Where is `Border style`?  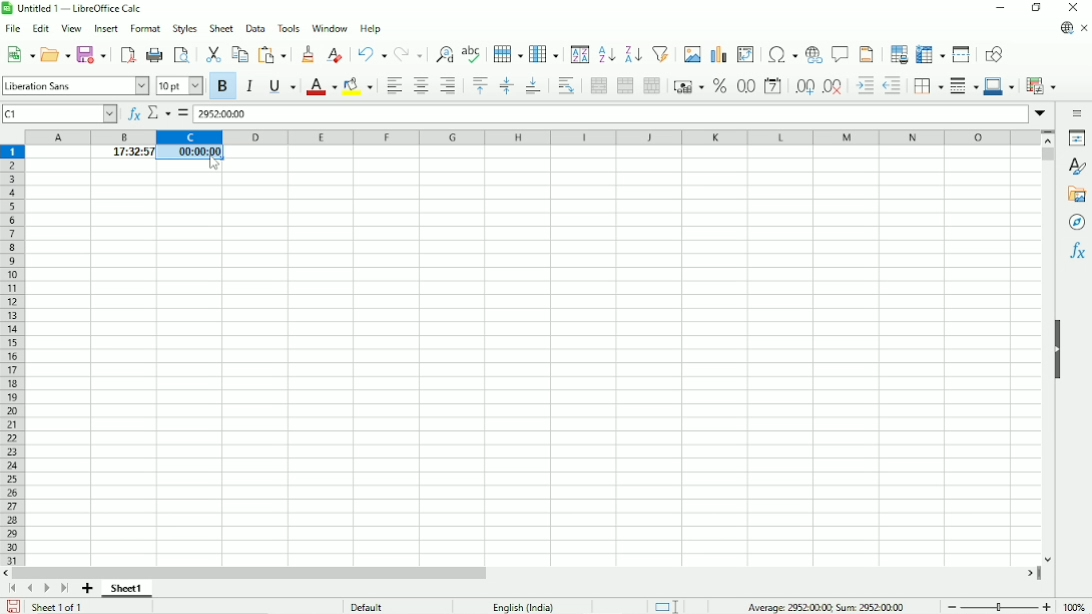 Border style is located at coordinates (963, 87).